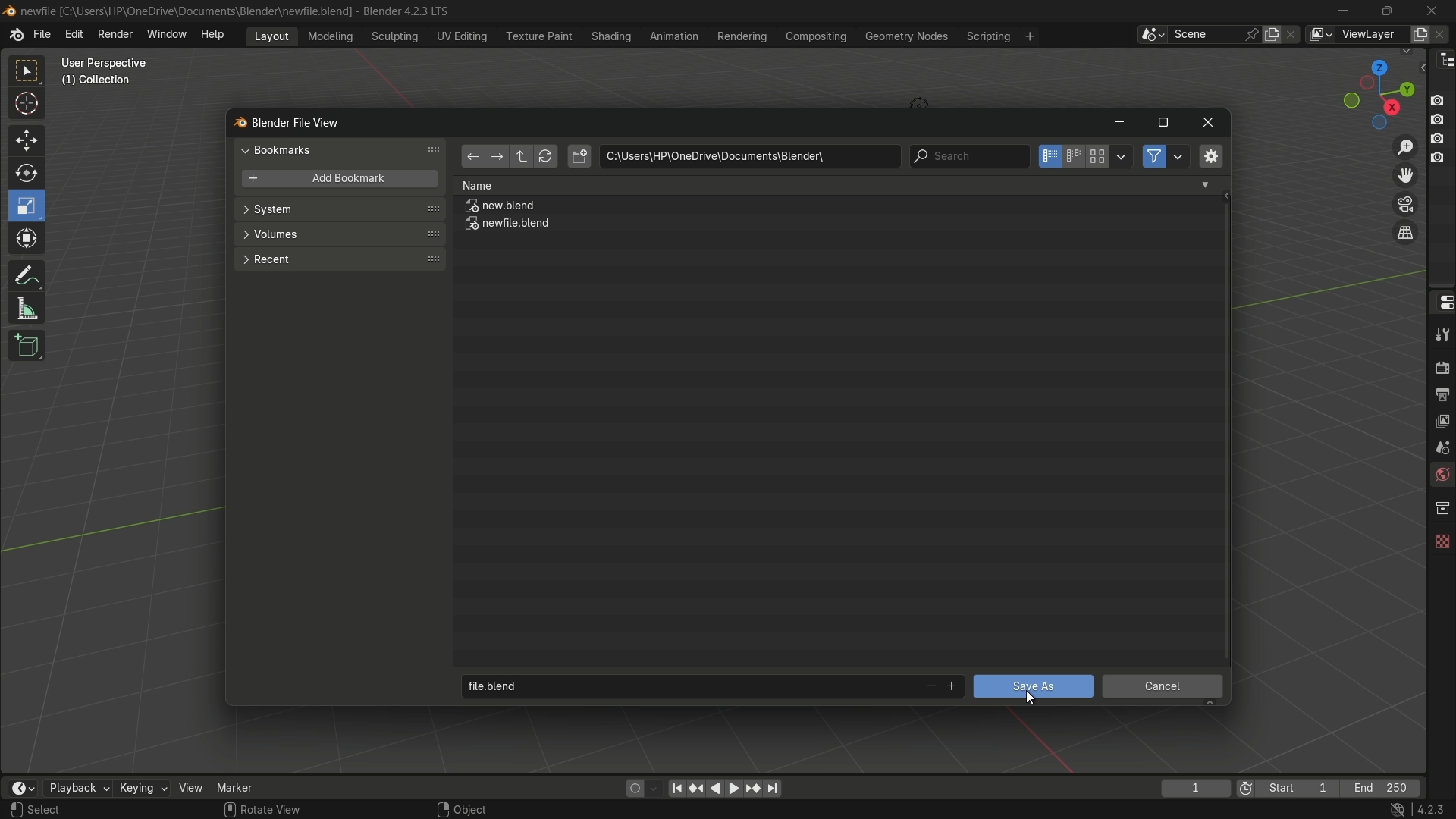 Image resolution: width=1456 pixels, height=819 pixels. I want to click on blend logo, so click(234, 124).